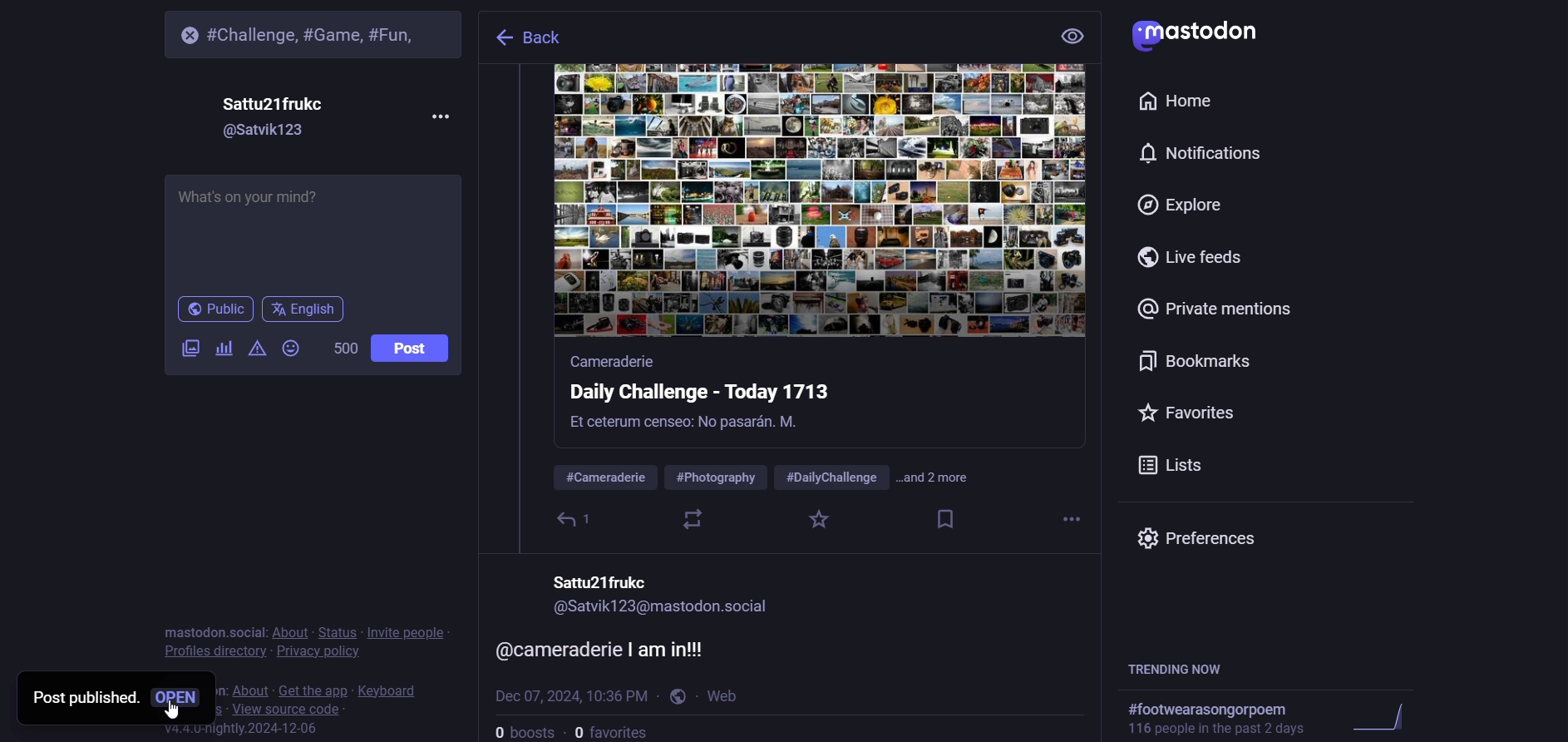  What do you see at coordinates (304, 312) in the screenshot?
I see `english` at bounding box center [304, 312].